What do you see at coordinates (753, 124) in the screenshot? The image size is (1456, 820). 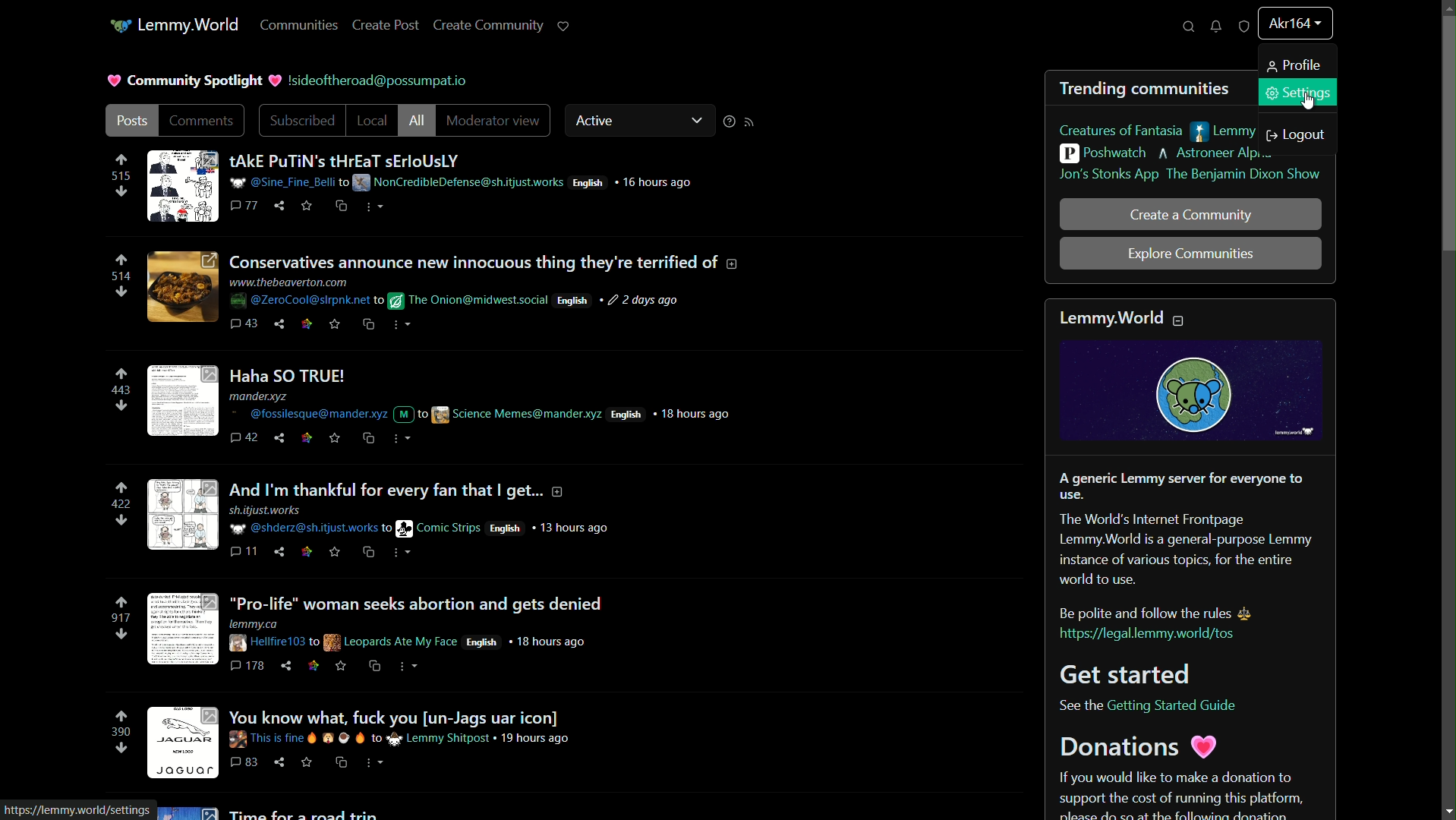 I see `RSS` at bounding box center [753, 124].